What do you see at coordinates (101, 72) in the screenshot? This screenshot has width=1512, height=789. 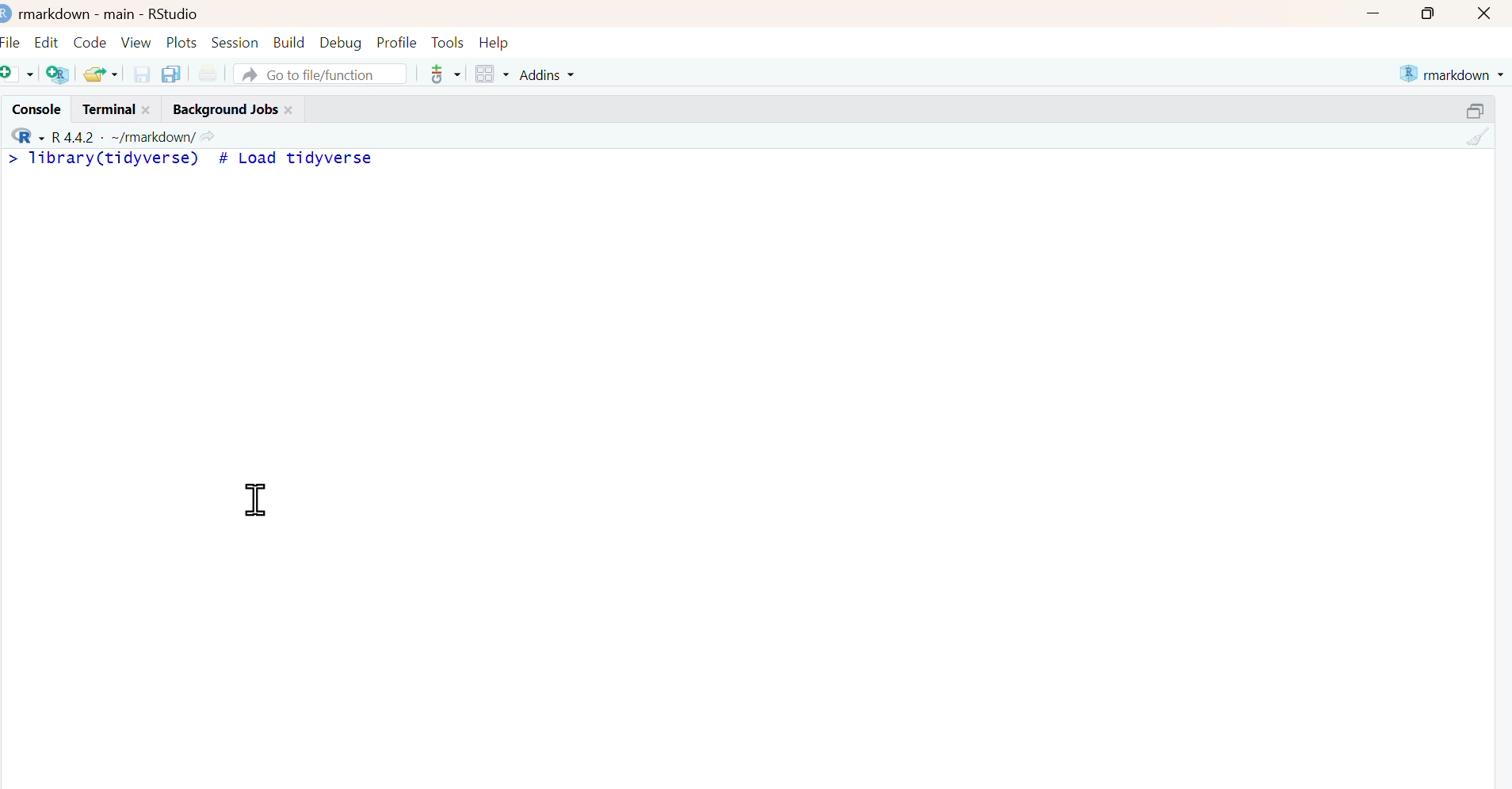 I see `open recent files` at bounding box center [101, 72].